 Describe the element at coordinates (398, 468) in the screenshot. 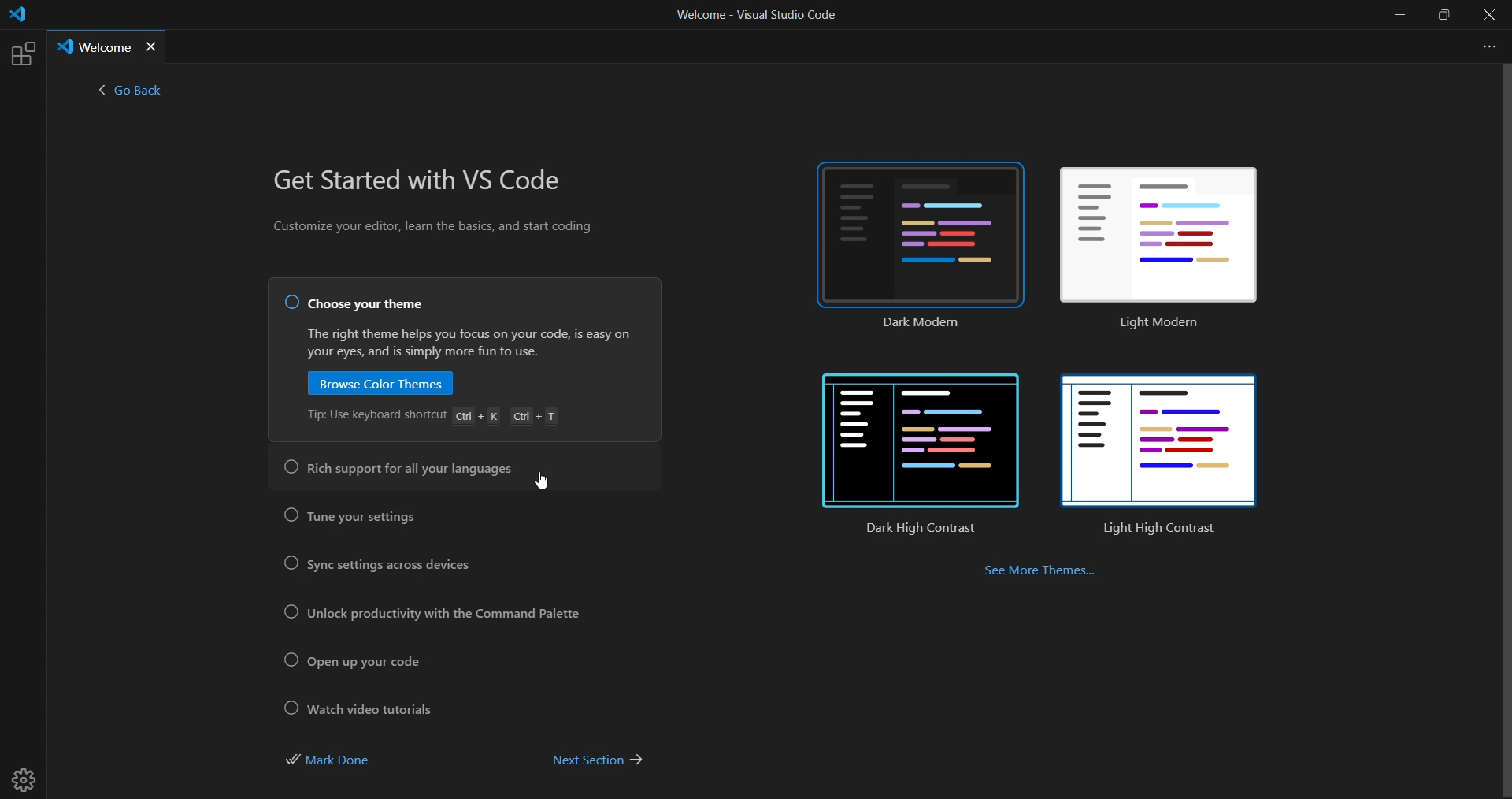

I see `rich support for all your languages` at that location.